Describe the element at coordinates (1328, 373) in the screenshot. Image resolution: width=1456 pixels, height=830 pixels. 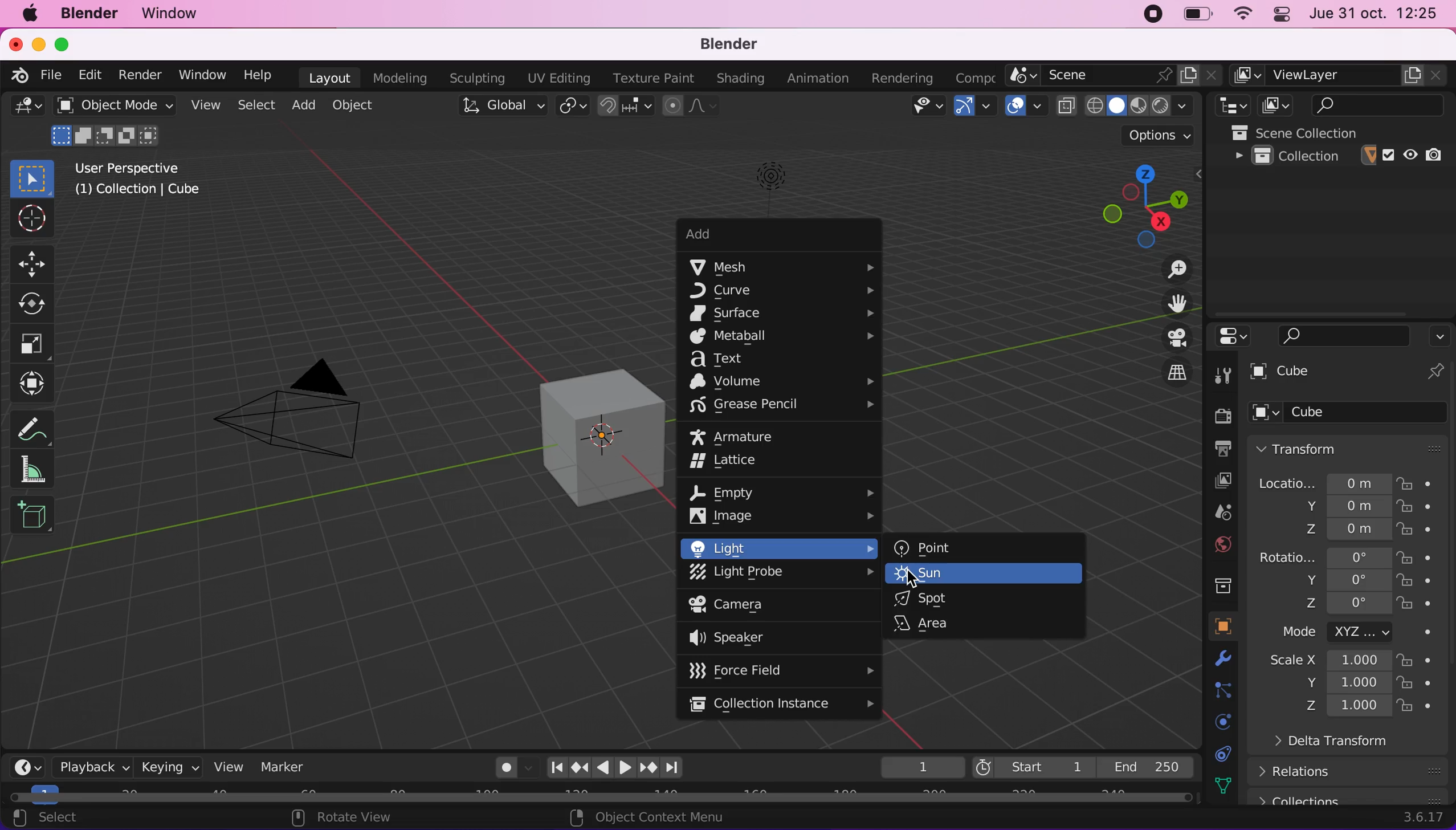
I see `cube` at that location.